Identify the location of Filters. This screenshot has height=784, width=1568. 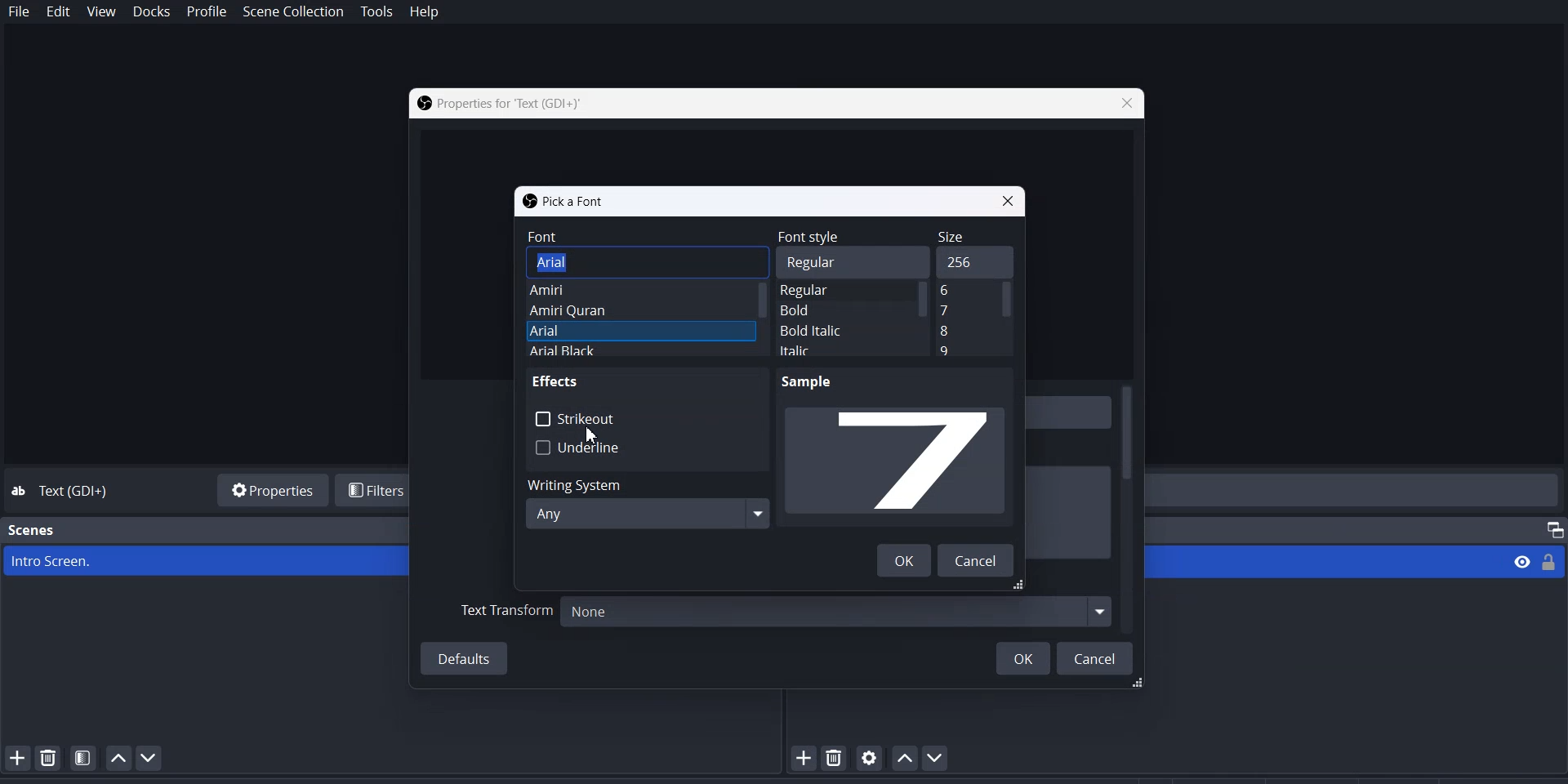
(375, 490).